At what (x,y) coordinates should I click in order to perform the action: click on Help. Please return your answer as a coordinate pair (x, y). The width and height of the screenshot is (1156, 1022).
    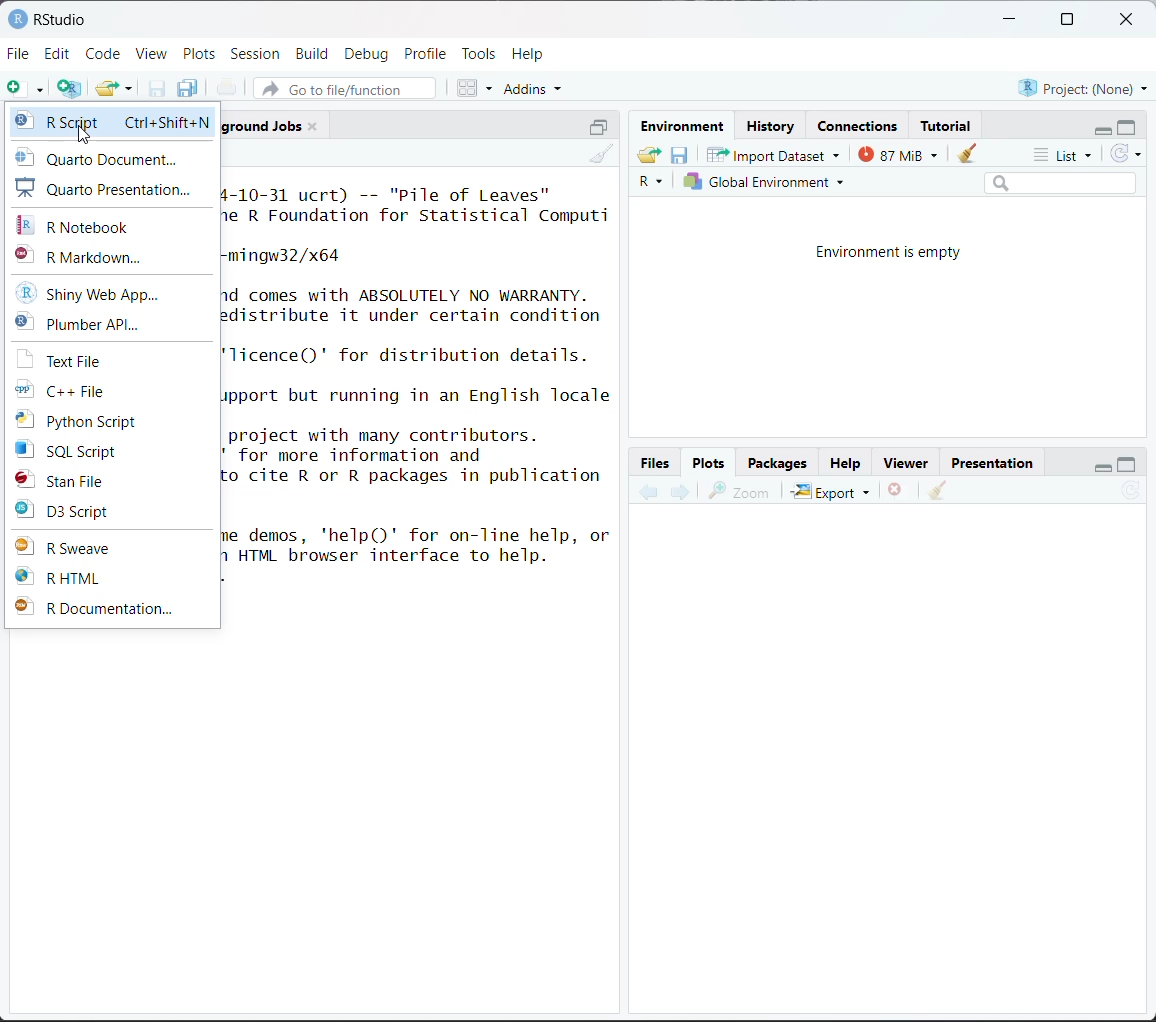
    Looking at the image, I should click on (845, 465).